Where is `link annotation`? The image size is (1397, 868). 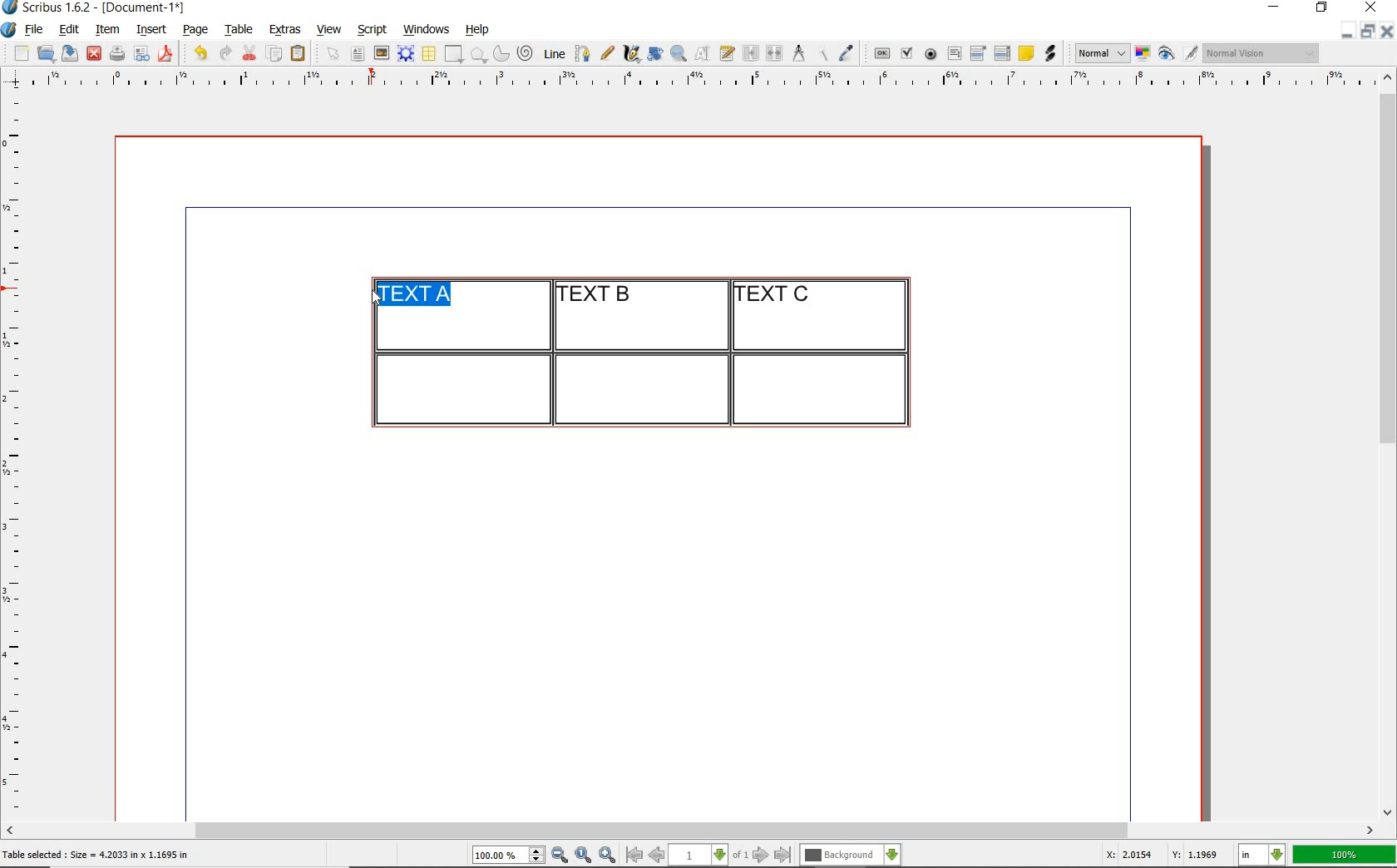 link annotation is located at coordinates (1052, 53).